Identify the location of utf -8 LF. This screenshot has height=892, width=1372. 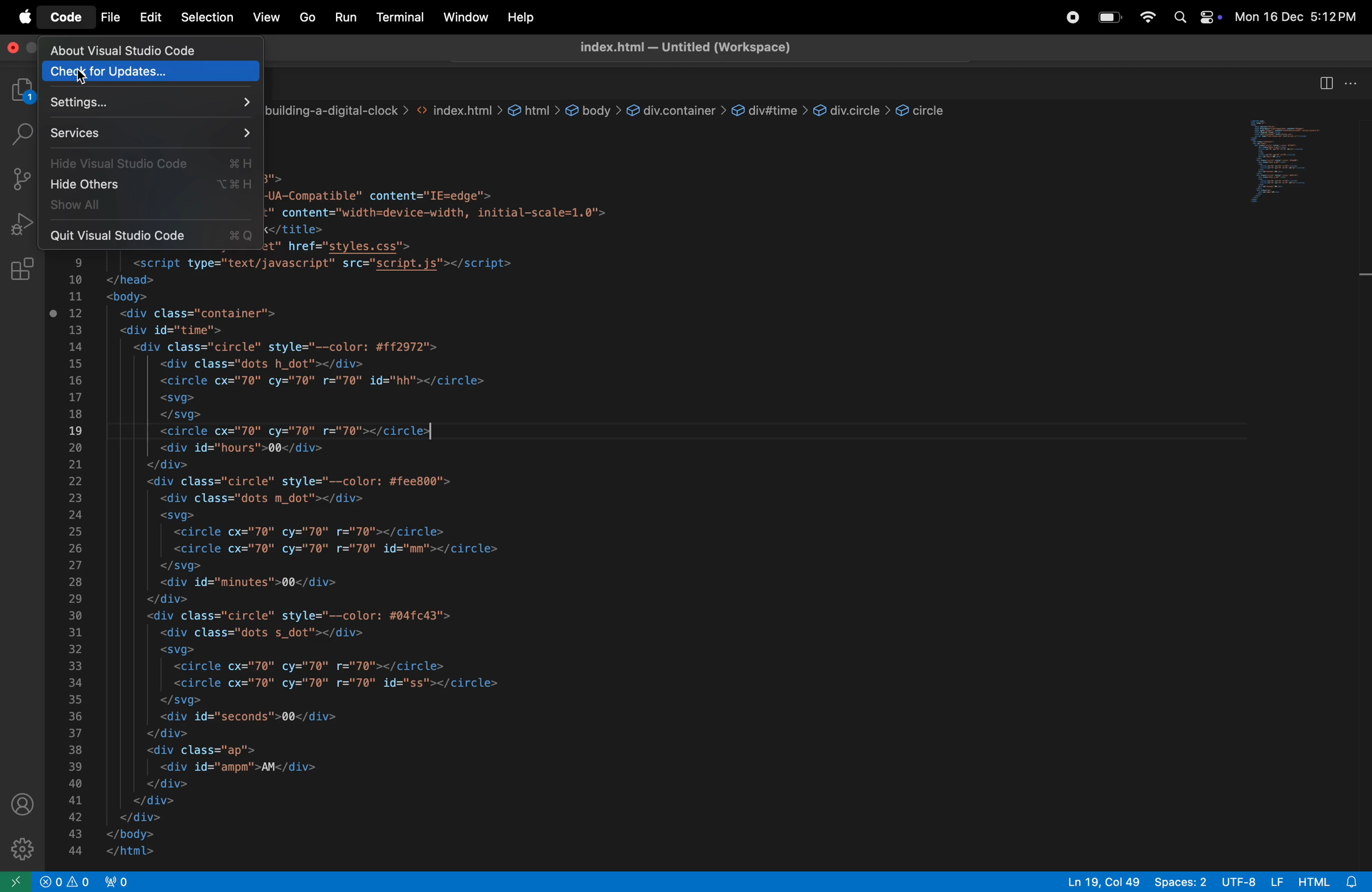
(1250, 882).